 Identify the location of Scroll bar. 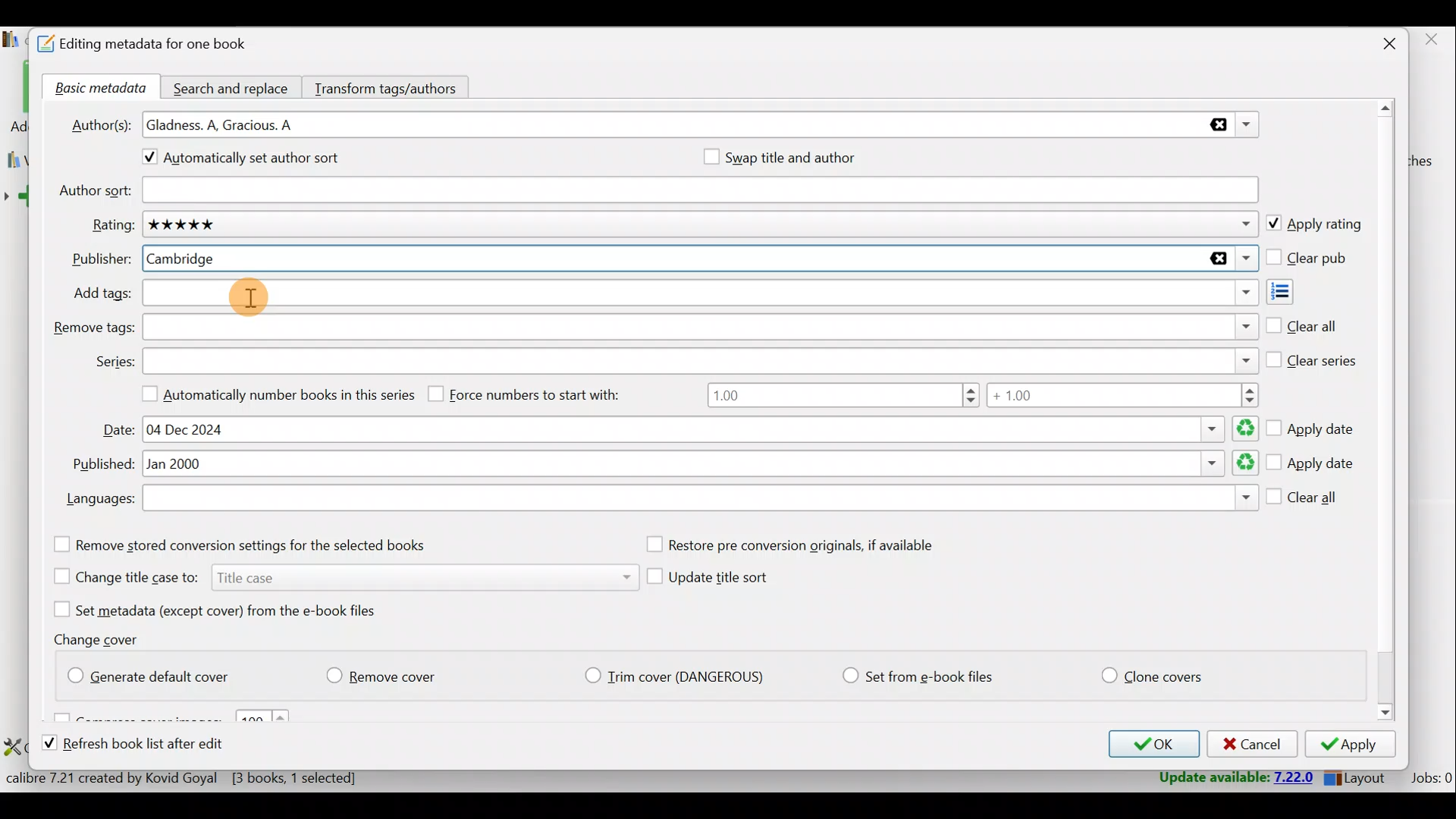
(1387, 413).